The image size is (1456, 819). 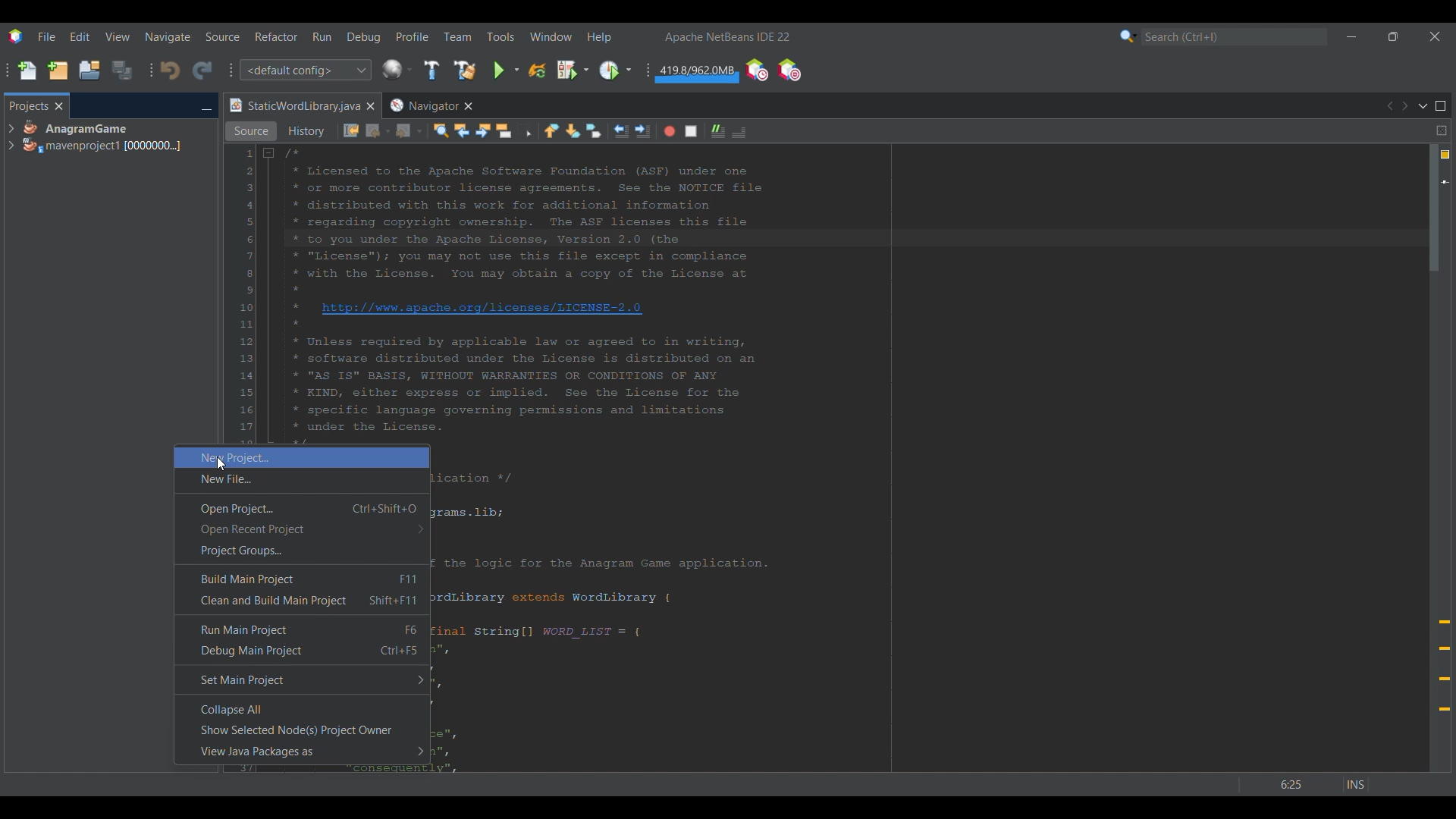 I want to click on Undo, so click(x=170, y=71).